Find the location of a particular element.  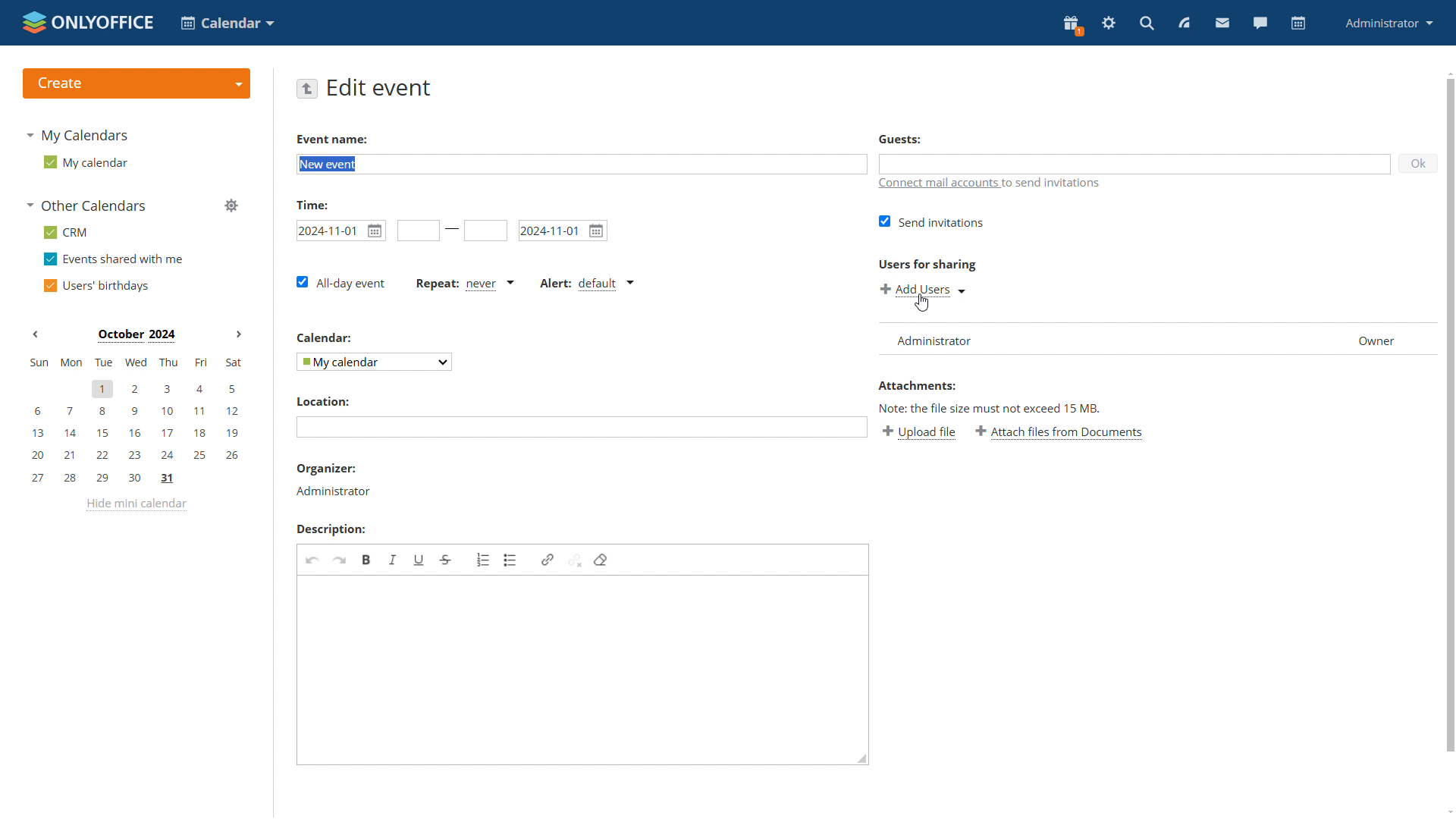

upload file is located at coordinates (920, 432).